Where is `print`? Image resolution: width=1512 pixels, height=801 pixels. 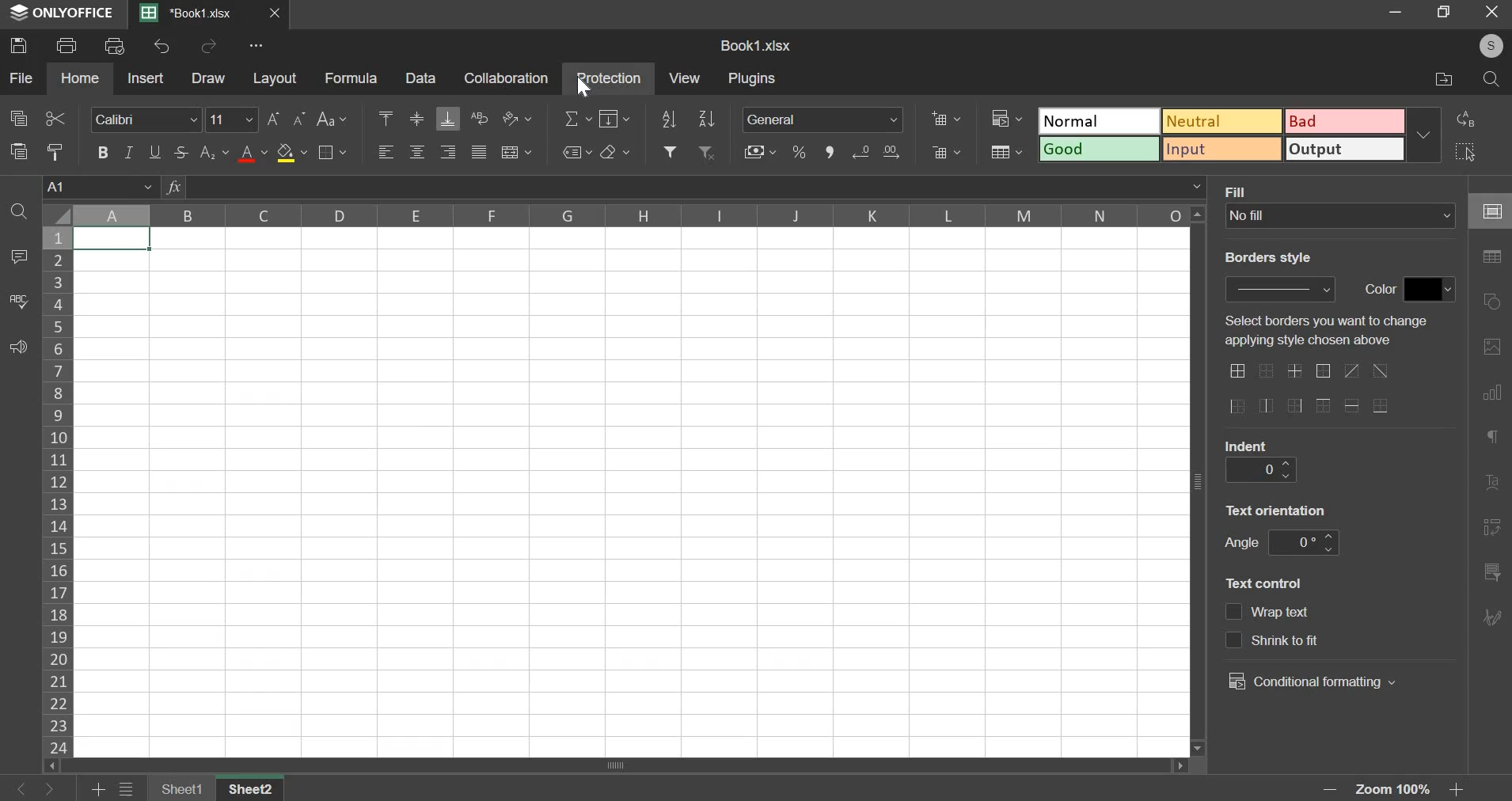
print is located at coordinates (67, 44).